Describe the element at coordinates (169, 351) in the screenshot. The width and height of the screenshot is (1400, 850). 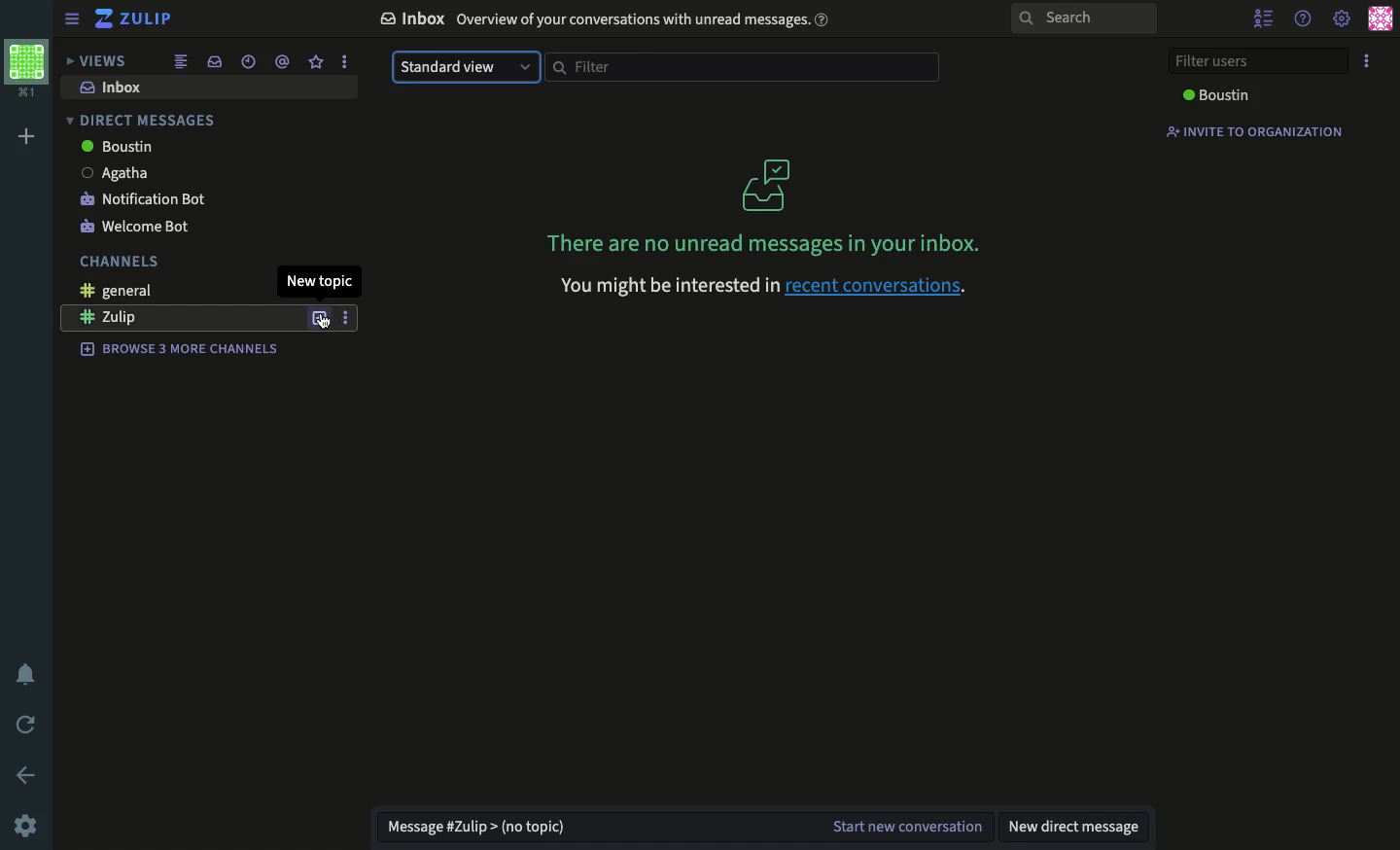
I see `browse 3 more channels` at that location.